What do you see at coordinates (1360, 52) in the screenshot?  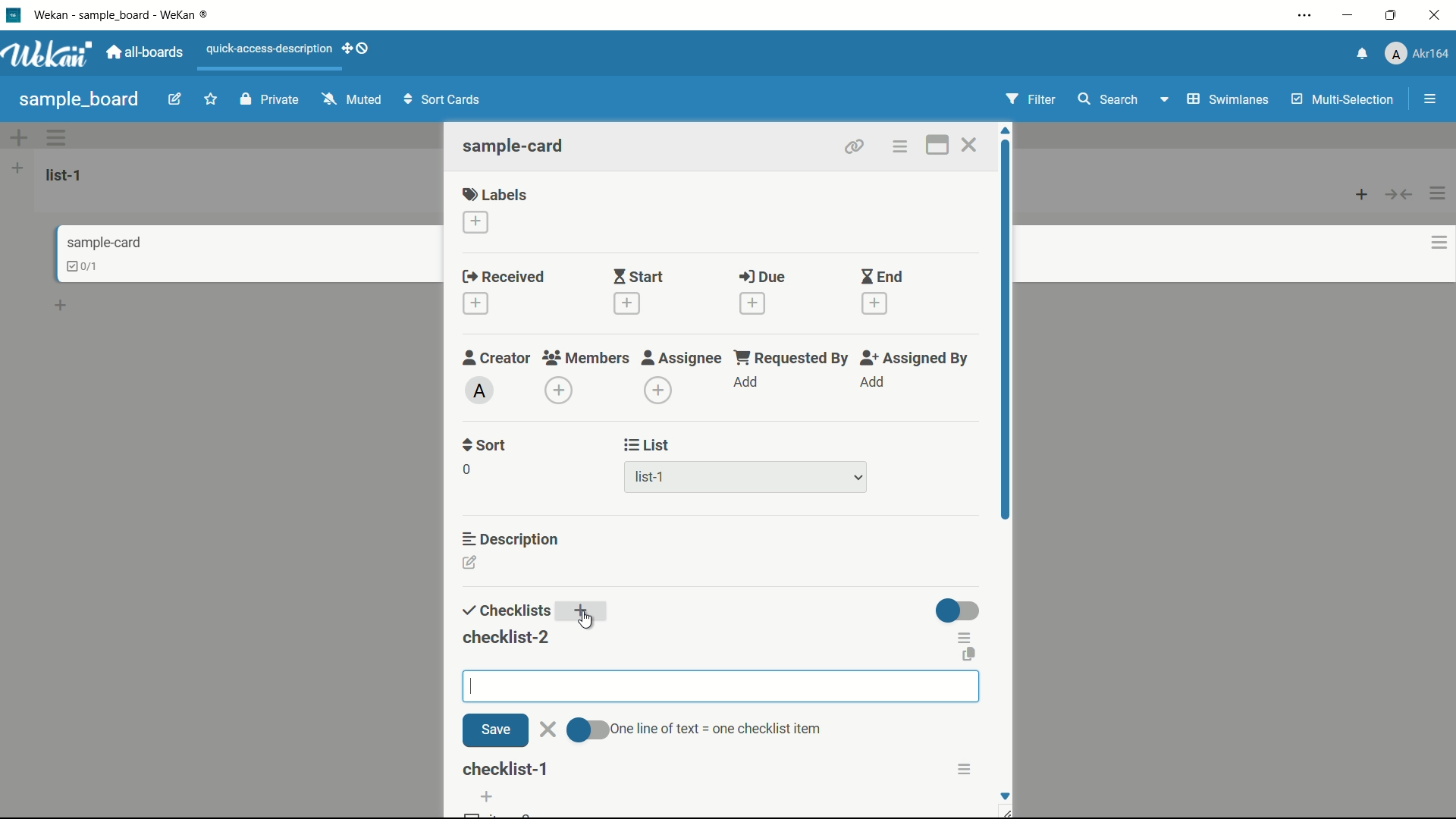 I see `notifications` at bounding box center [1360, 52].